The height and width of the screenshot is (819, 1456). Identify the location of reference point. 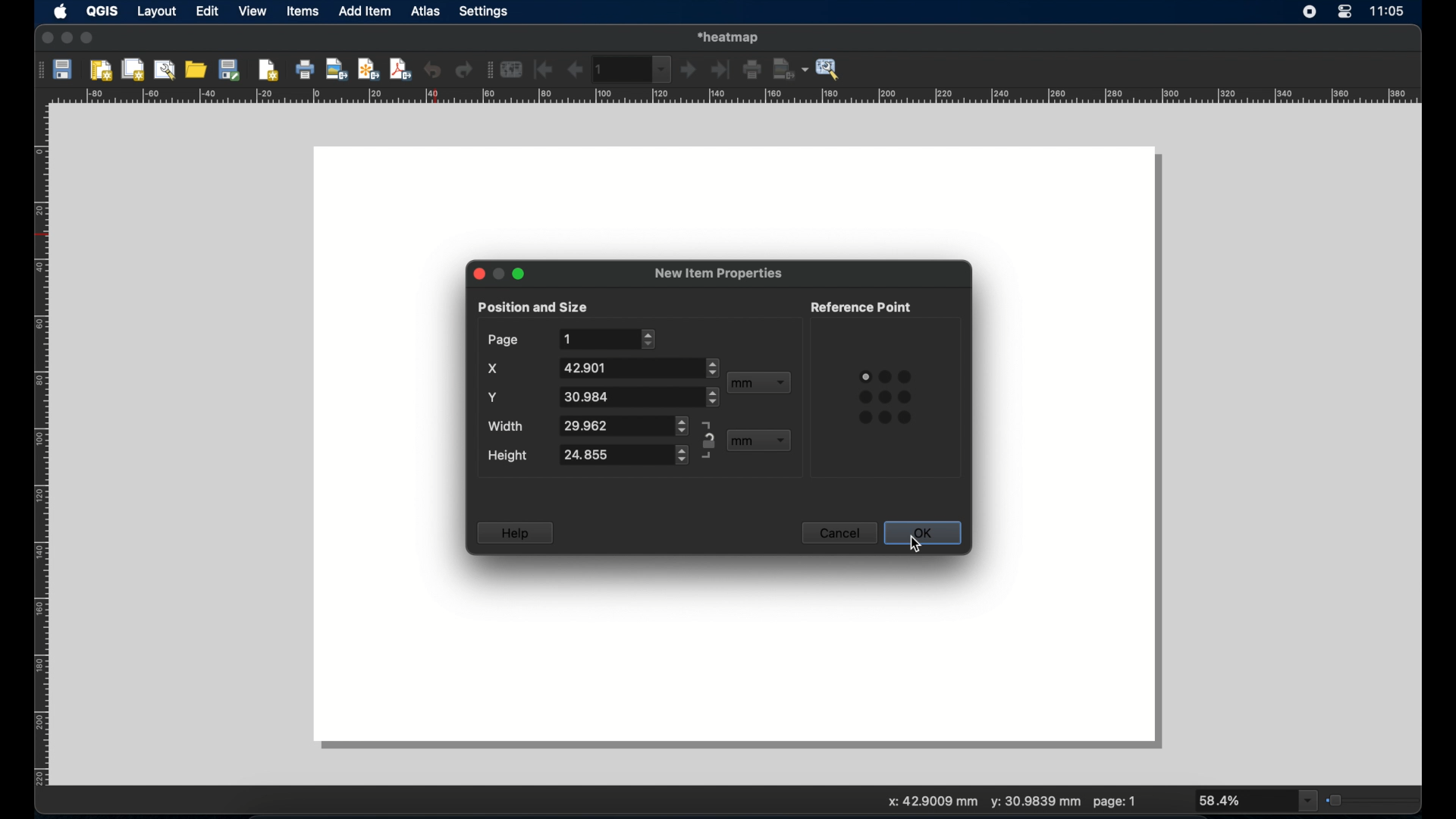
(864, 306).